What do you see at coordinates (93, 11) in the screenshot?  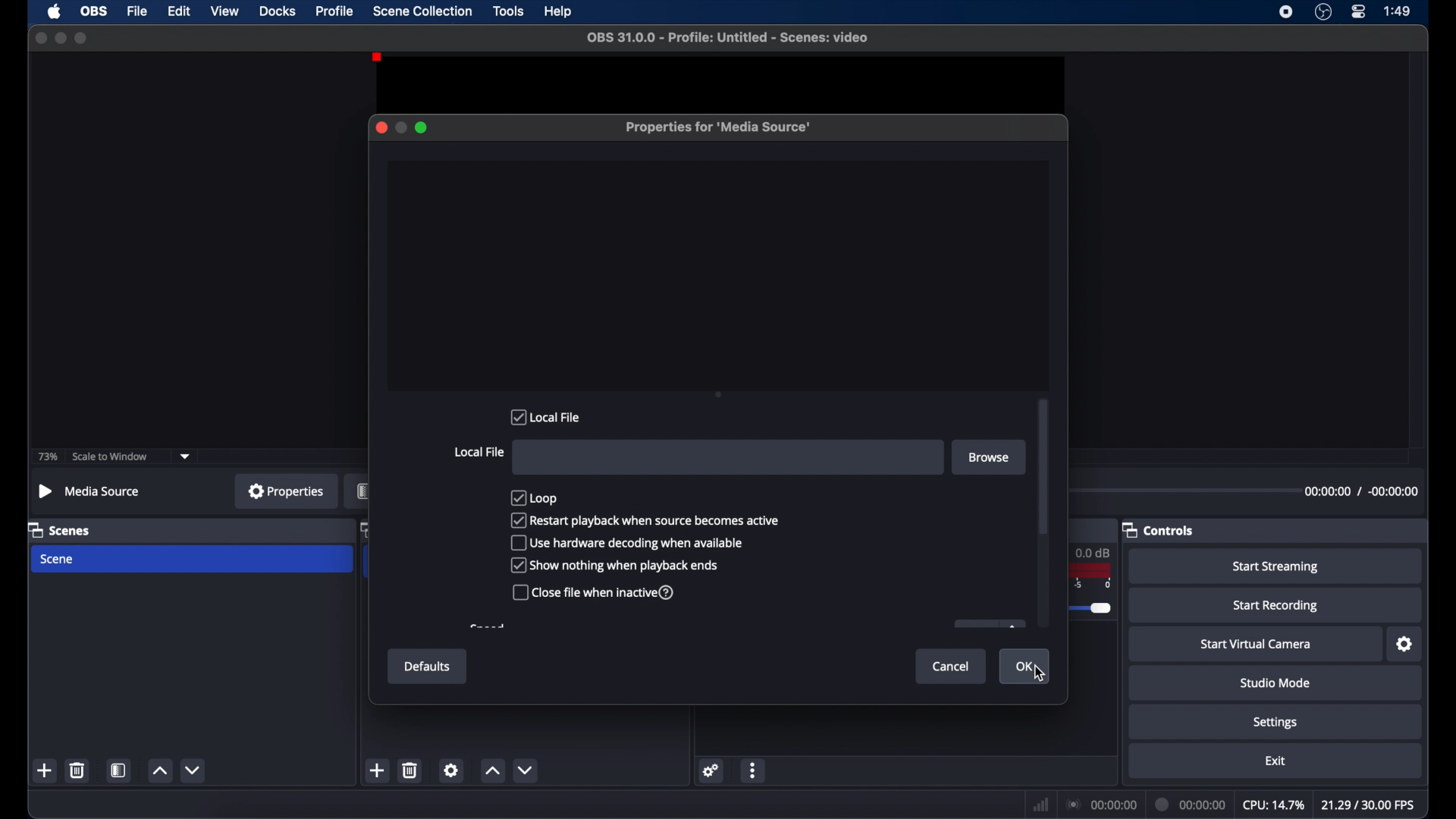 I see `obs` at bounding box center [93, 11].